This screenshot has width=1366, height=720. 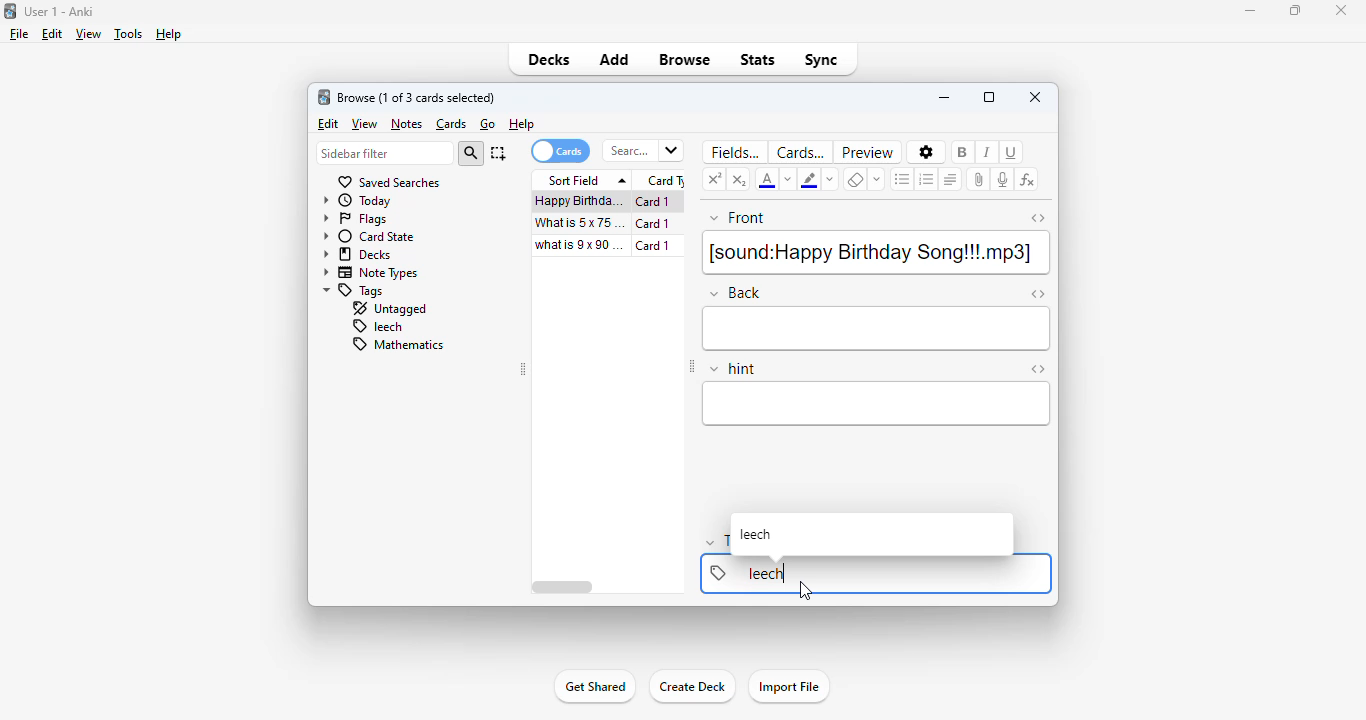 What do you see at coordinates (1252, 11) in the screenshot?
I see `minimize` at bounding box center [1252, 11].